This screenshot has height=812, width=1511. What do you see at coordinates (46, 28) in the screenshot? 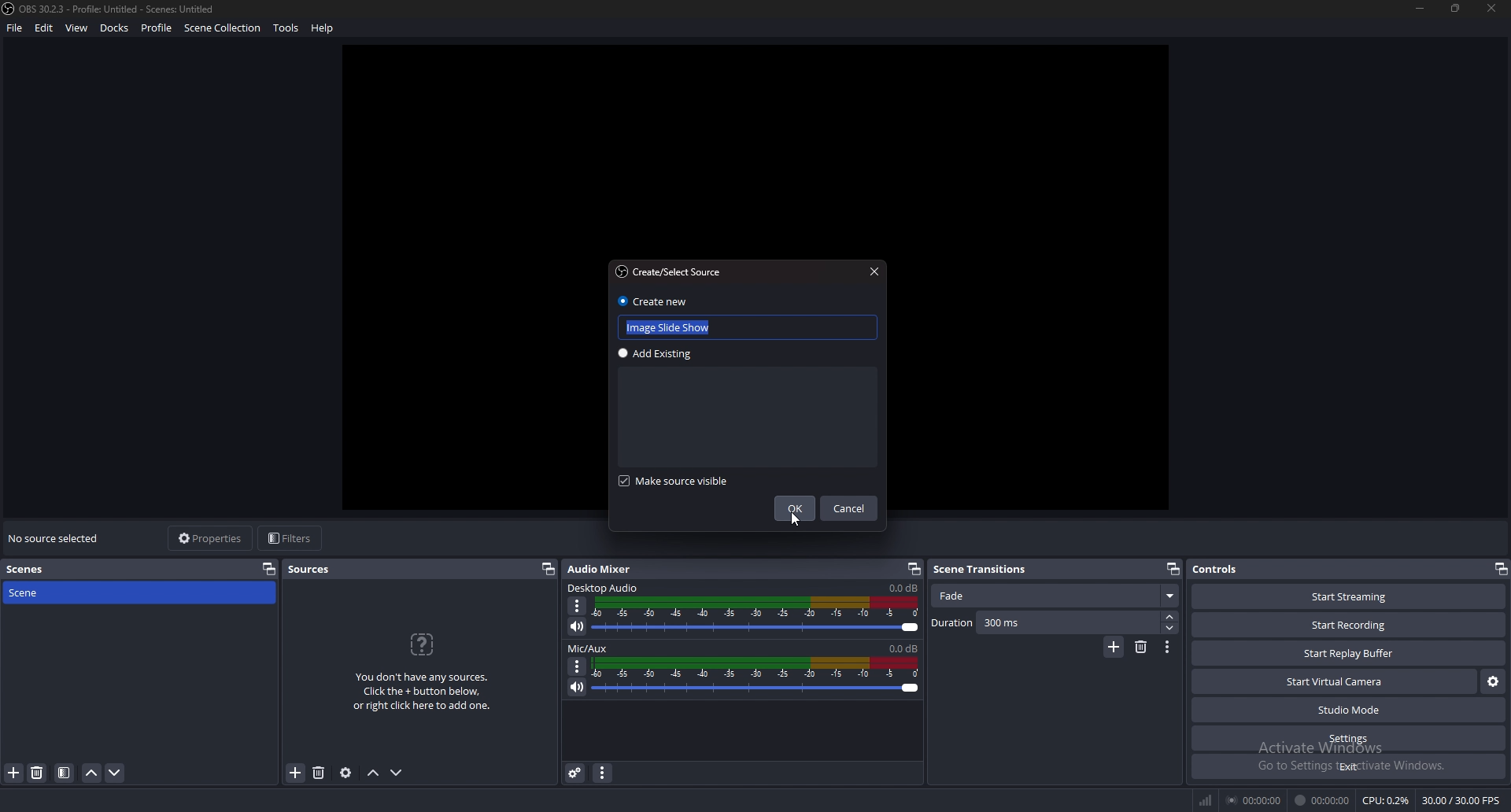
I see `edit` at bounding box center [46, 28].